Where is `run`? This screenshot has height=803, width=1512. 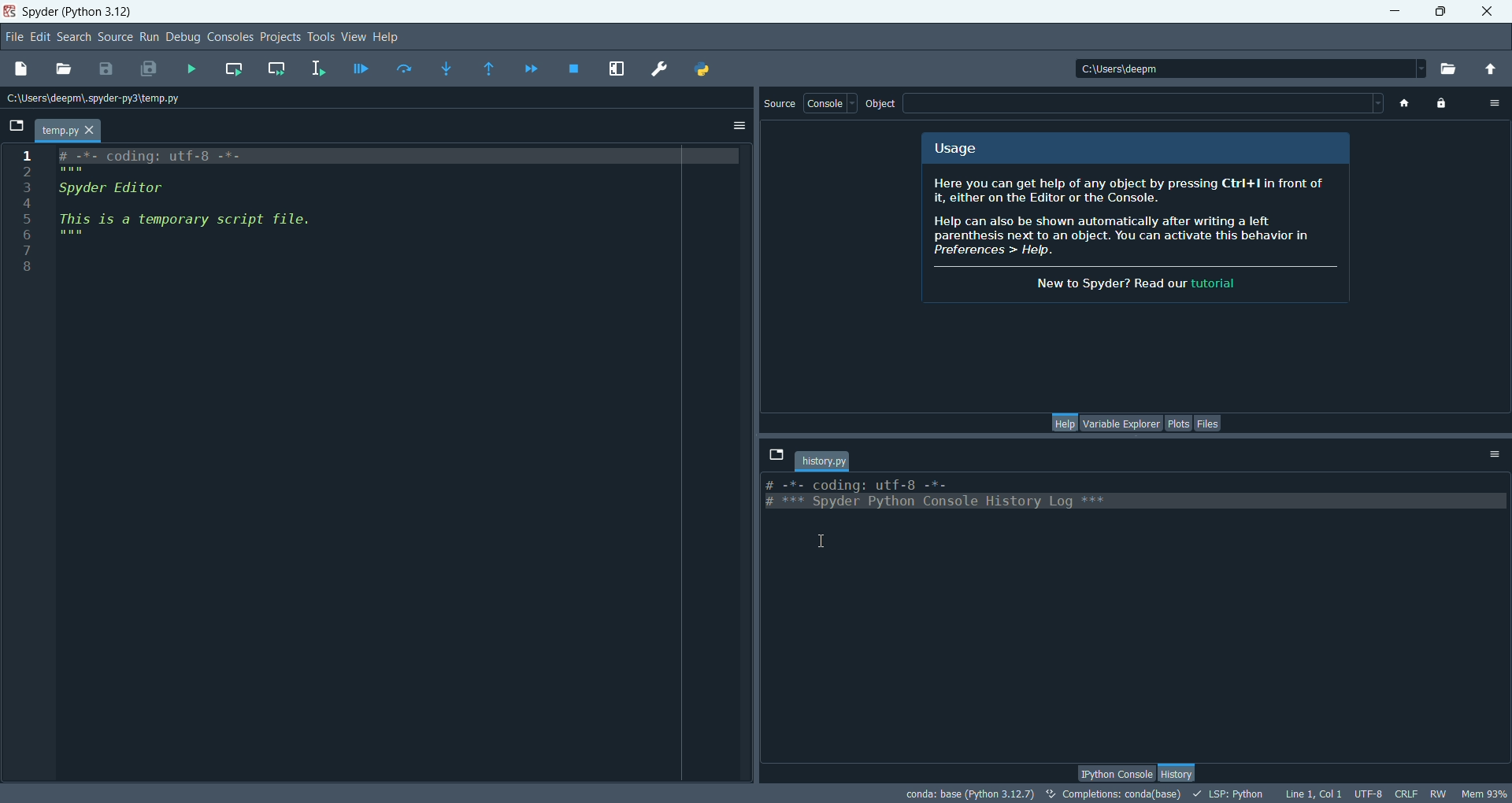 run is located at coordinates (150, 36).